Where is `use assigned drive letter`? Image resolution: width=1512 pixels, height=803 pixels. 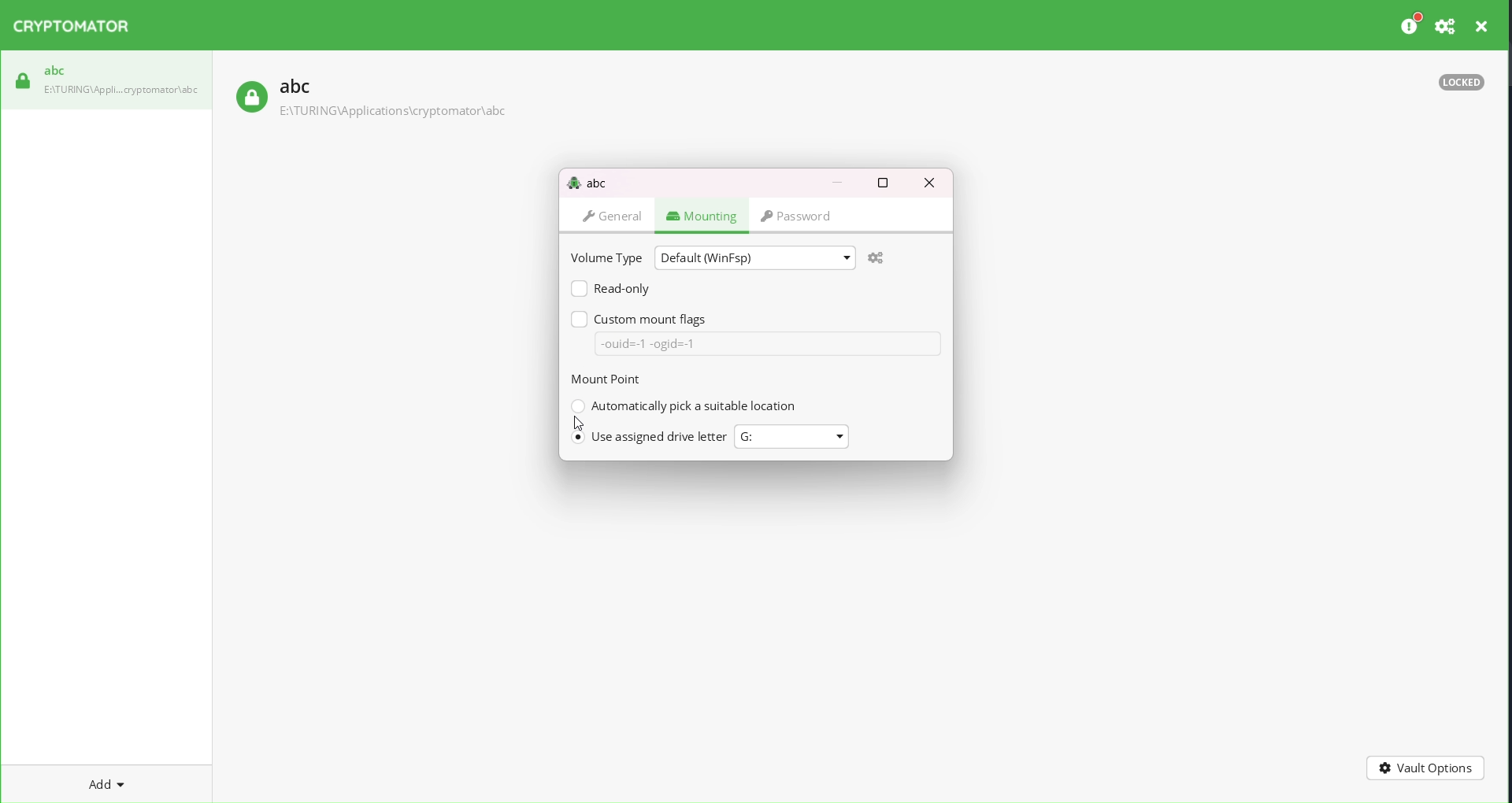
use assigned drive letter is located at coordinates (650, 435).